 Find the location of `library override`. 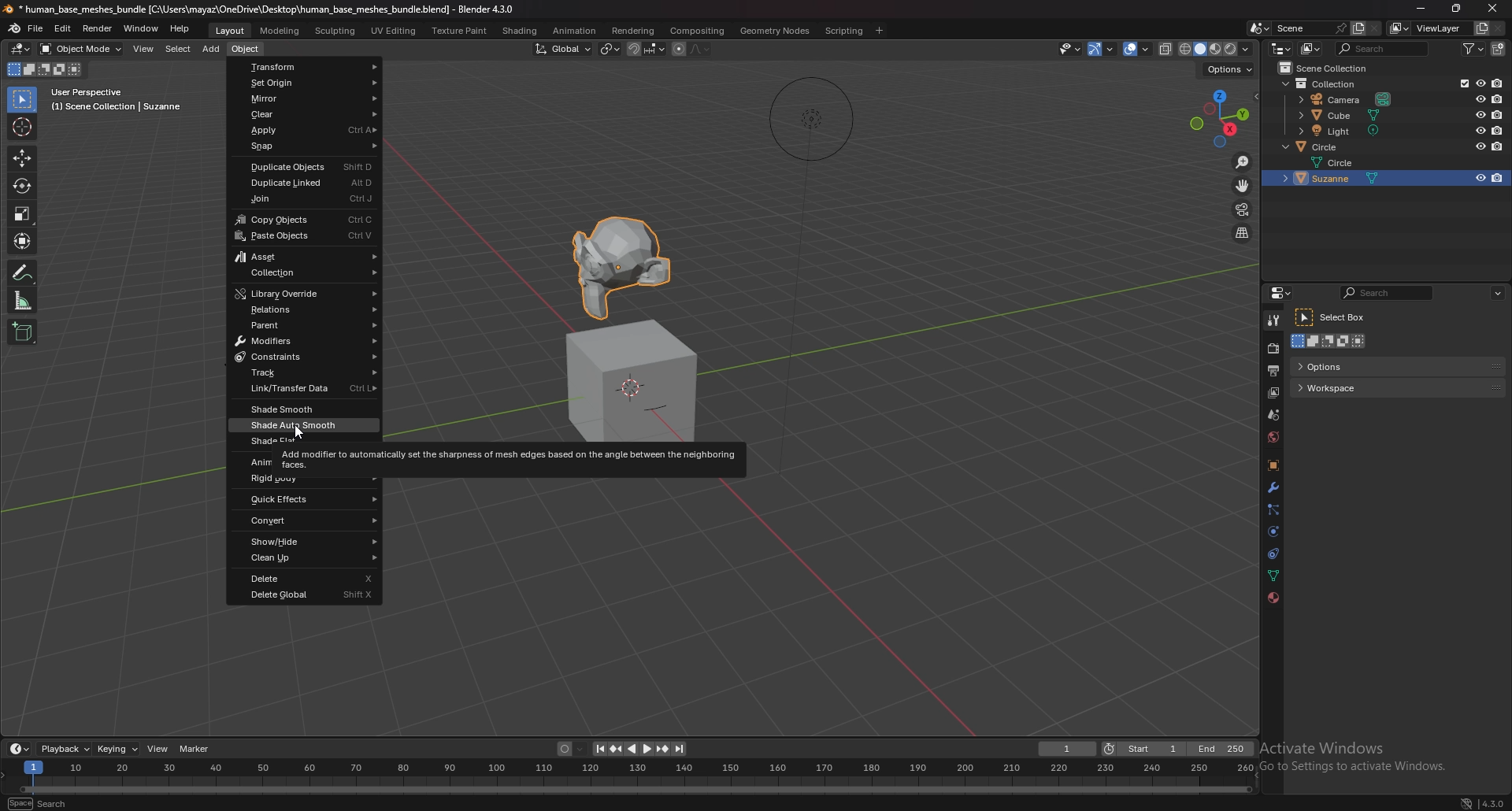

library override is located at coordinates (306, 294).